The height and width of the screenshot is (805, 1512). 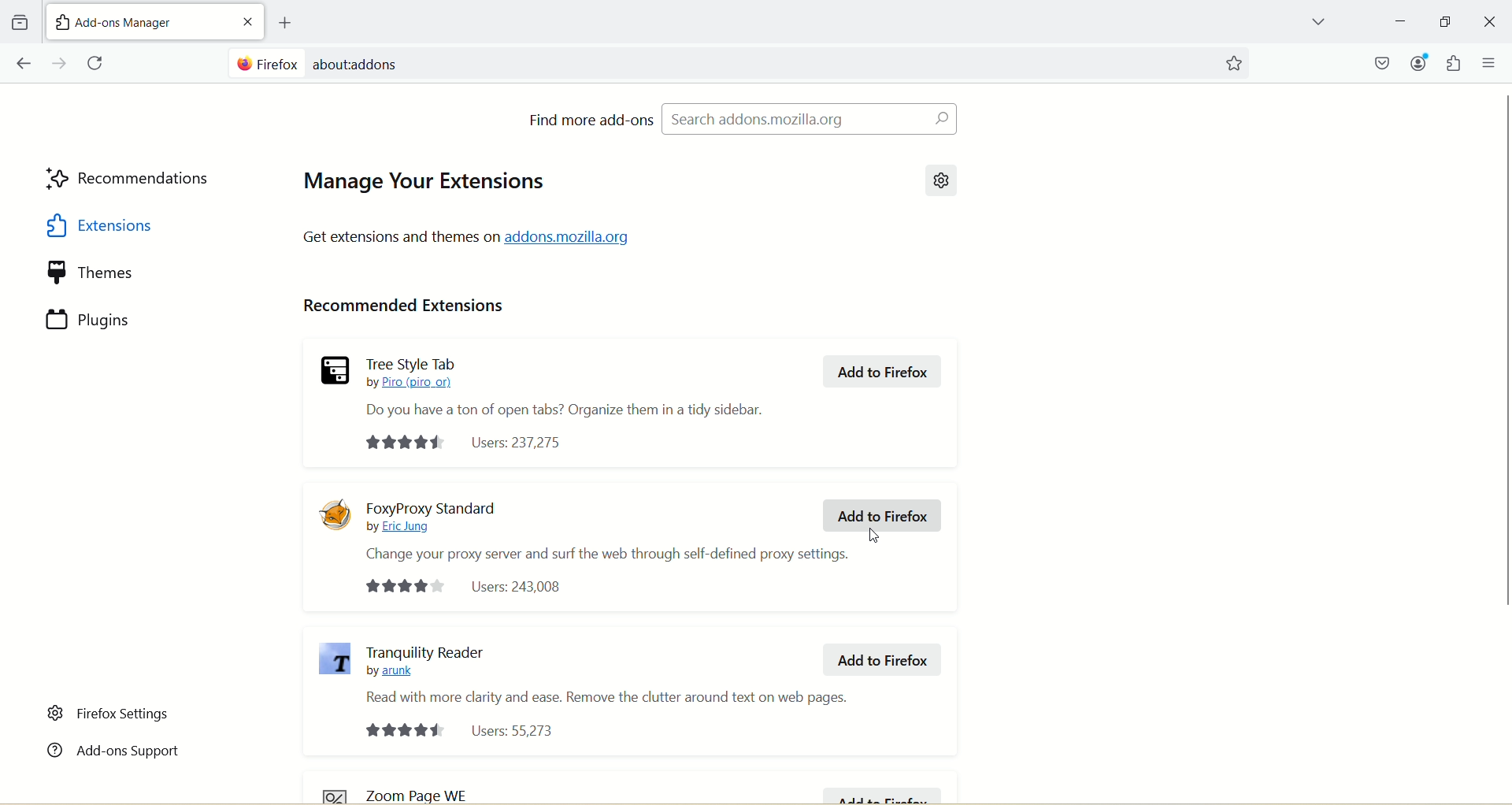 I want to click on Tranquility Reader Icon, so click(x=335, y=660).